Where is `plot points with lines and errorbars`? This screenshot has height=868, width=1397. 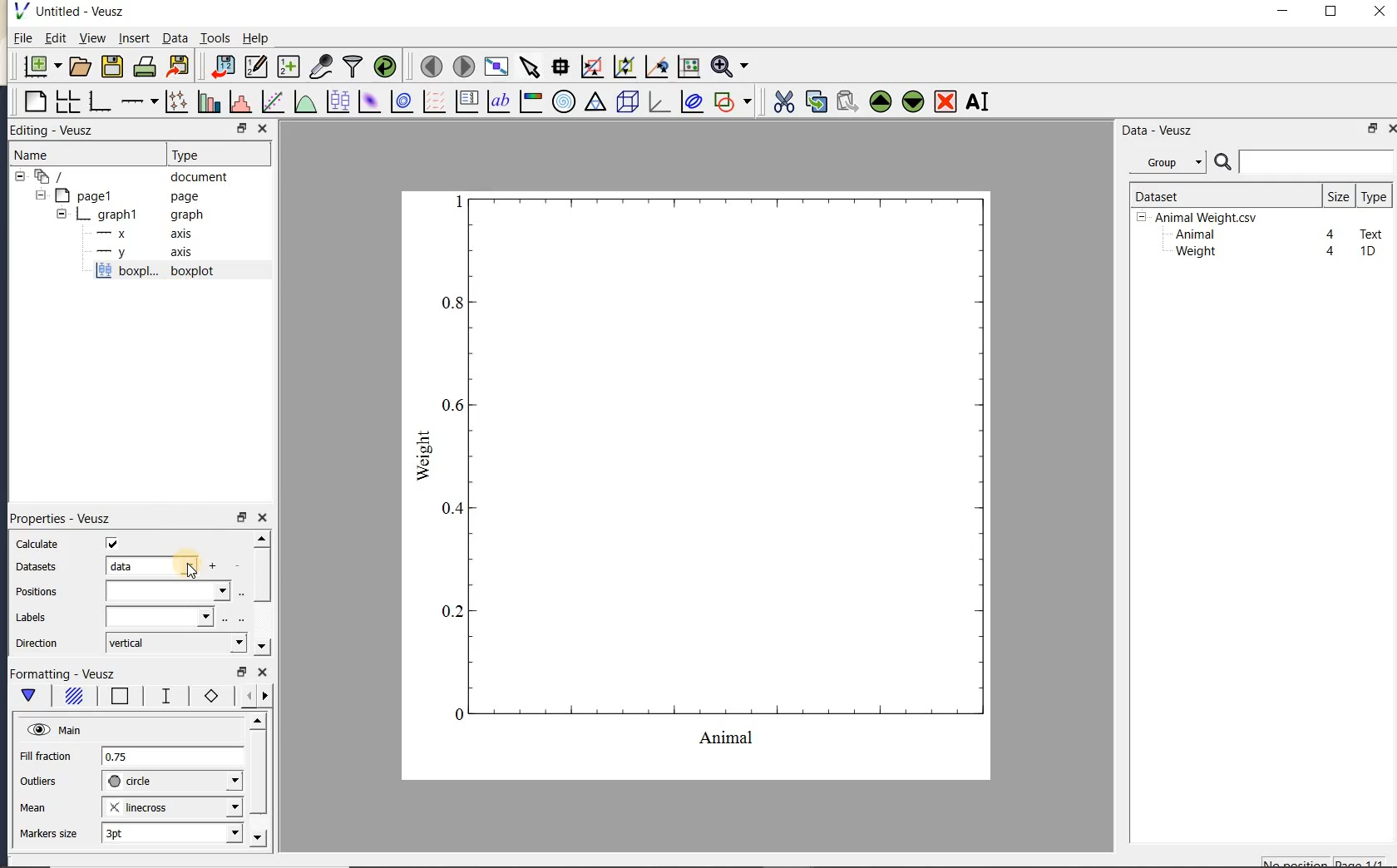 plot points with lines and errorbars is located at coordinates (178, 101).